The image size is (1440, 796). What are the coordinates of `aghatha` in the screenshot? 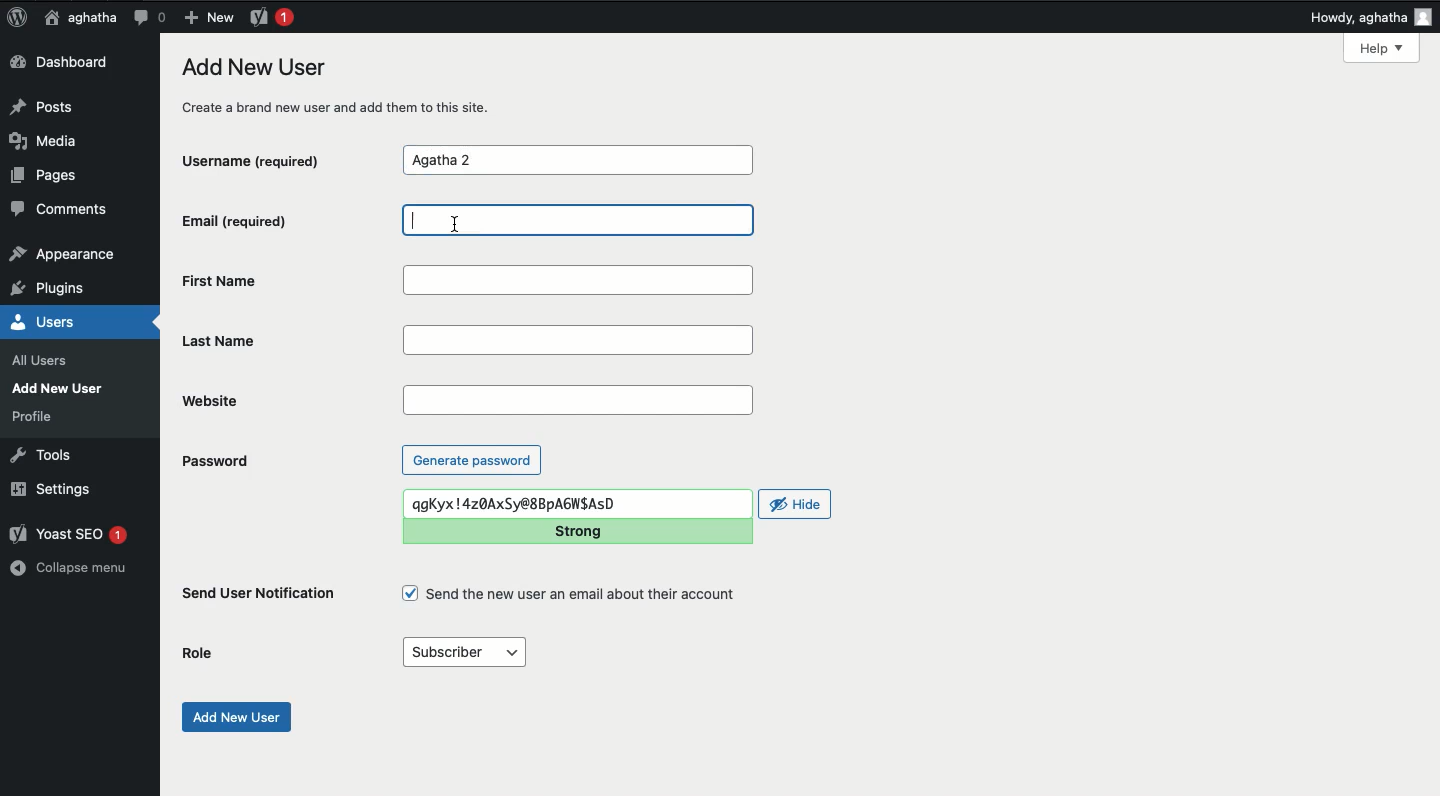 It's located at (79, 18).